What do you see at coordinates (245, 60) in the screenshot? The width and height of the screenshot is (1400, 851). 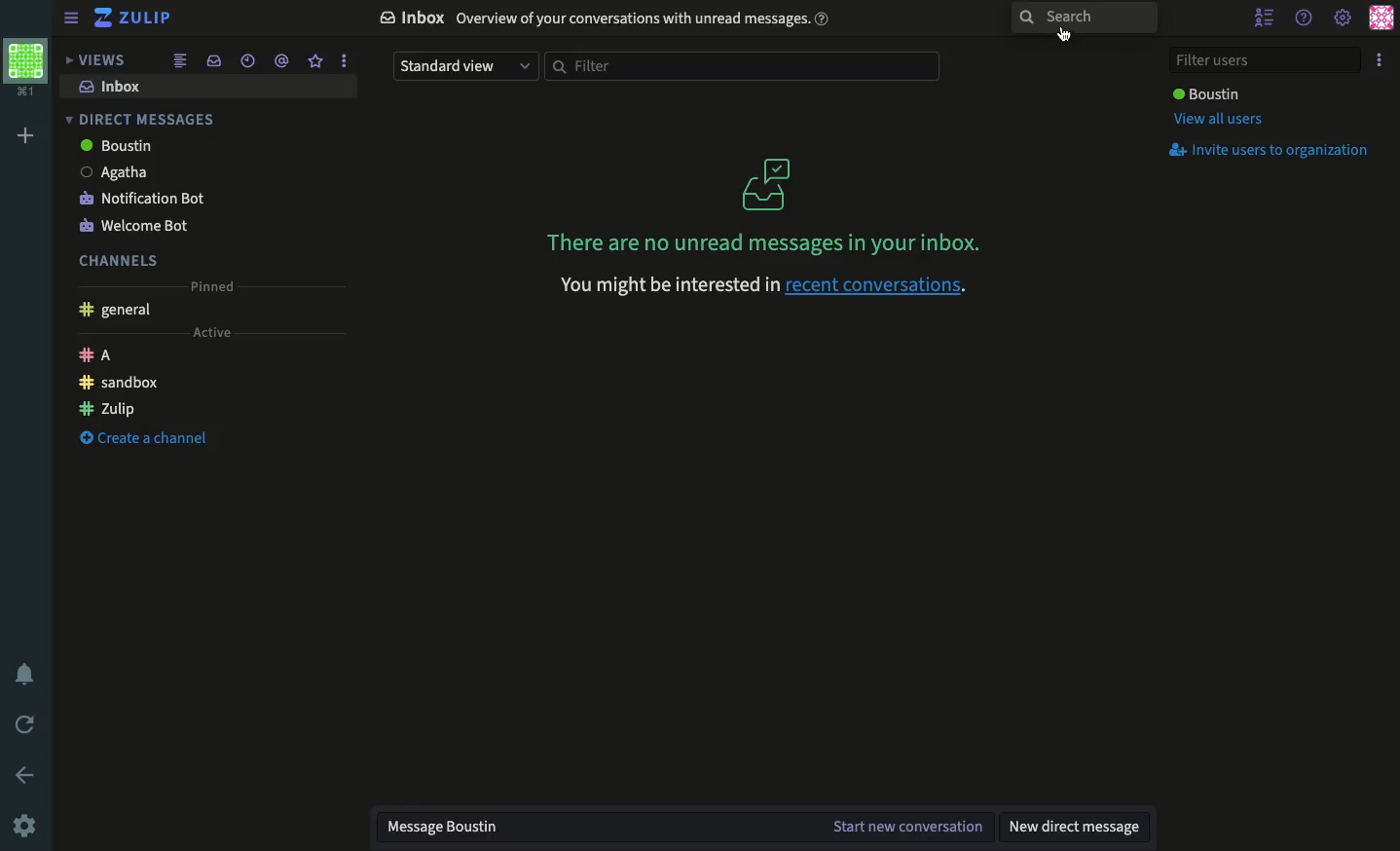 I see `Time` at bounding box center [245, 60].